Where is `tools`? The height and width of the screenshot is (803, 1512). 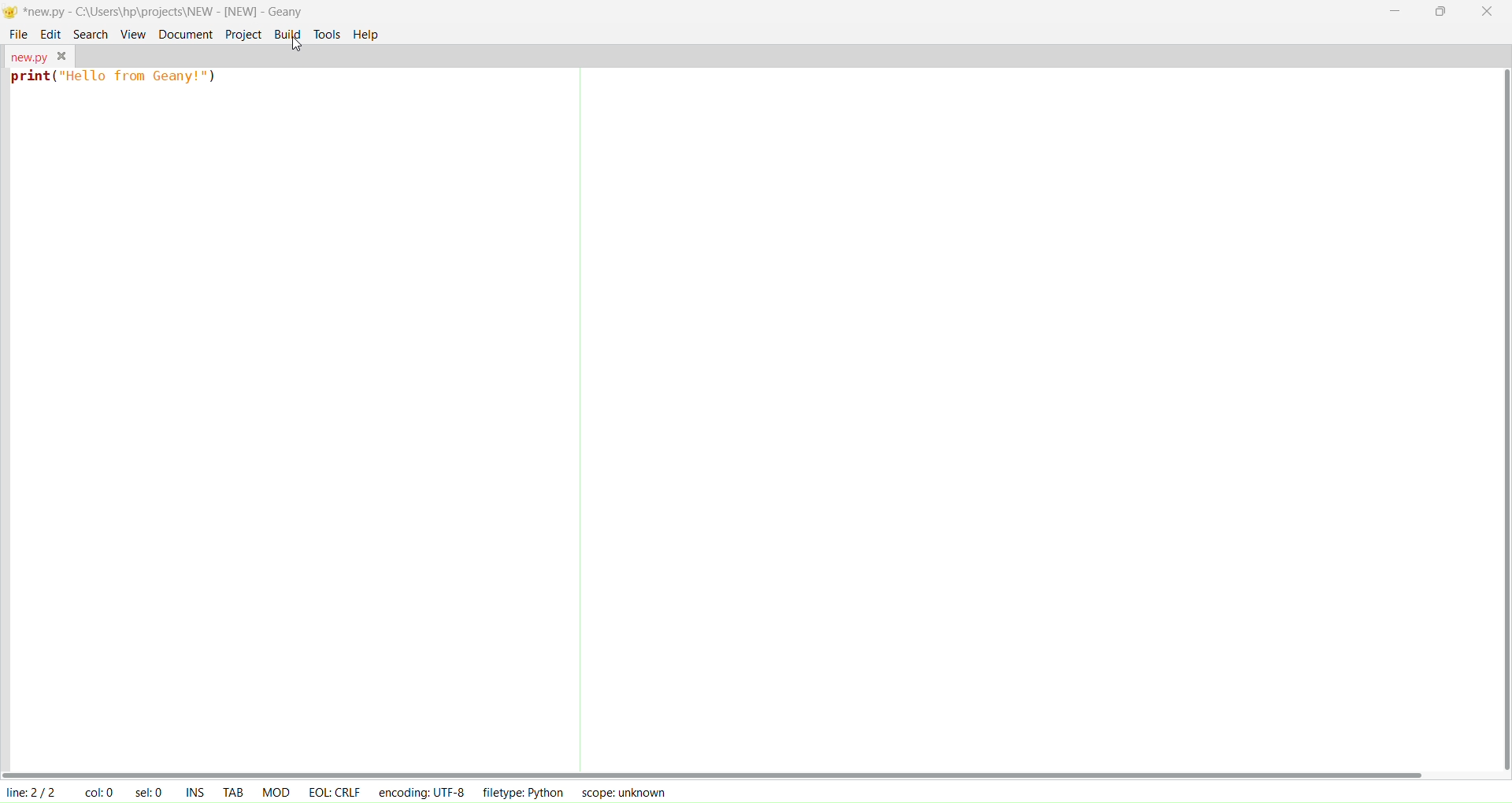
tools is located at coordinates (328, 35).